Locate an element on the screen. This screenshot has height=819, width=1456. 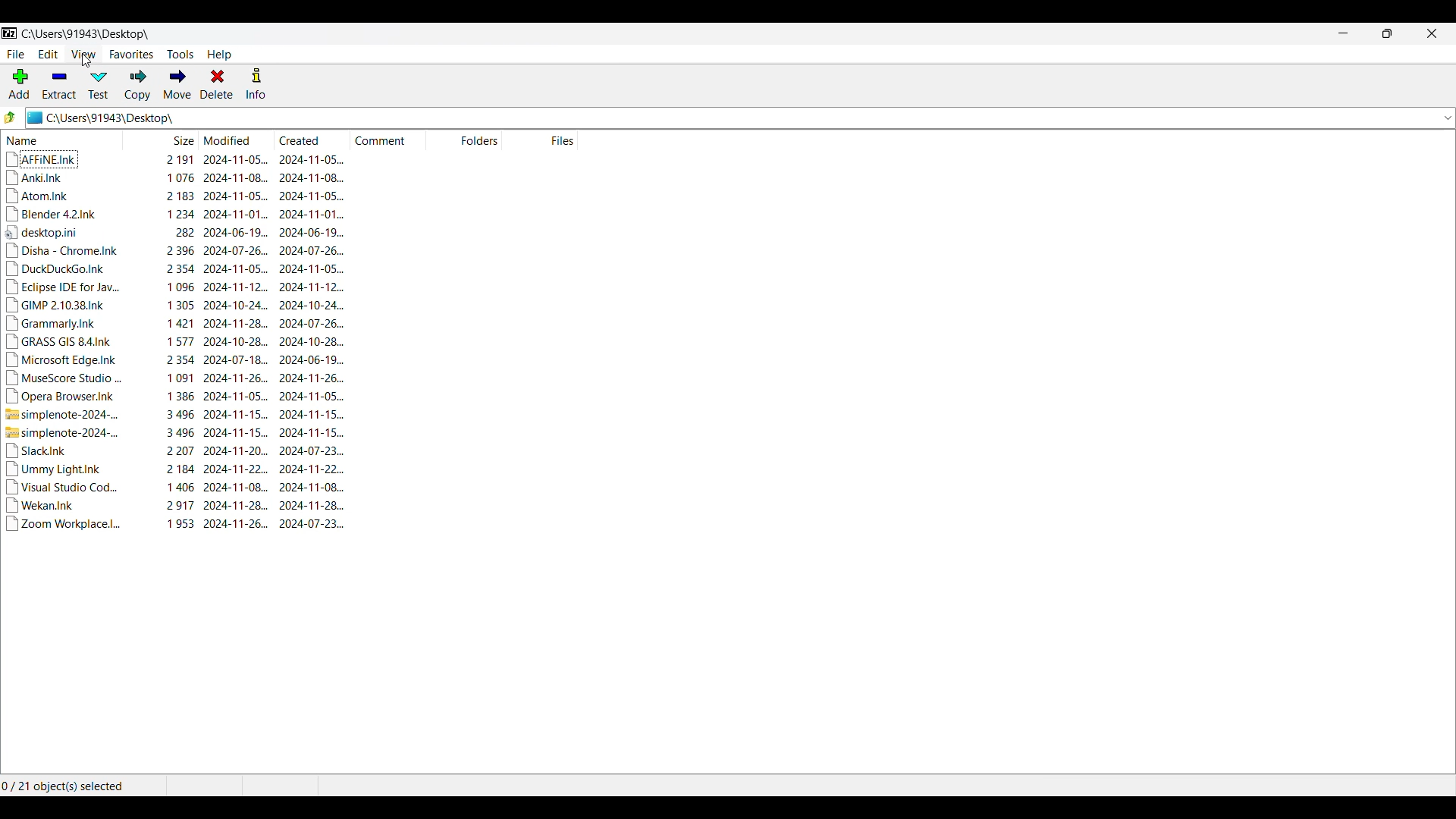
View is located at coordinates (84, 54).